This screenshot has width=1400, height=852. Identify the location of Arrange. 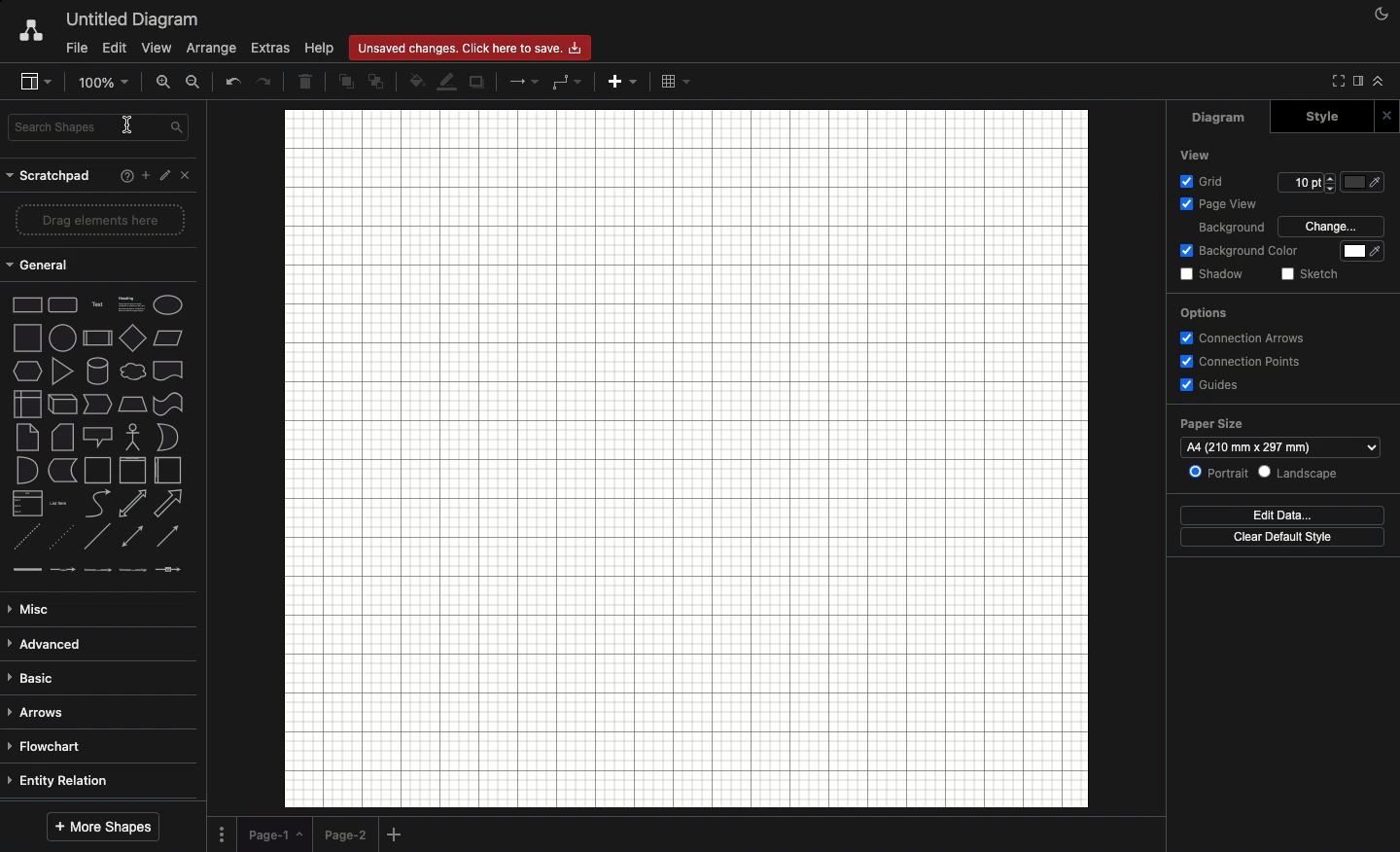
(214, 47).